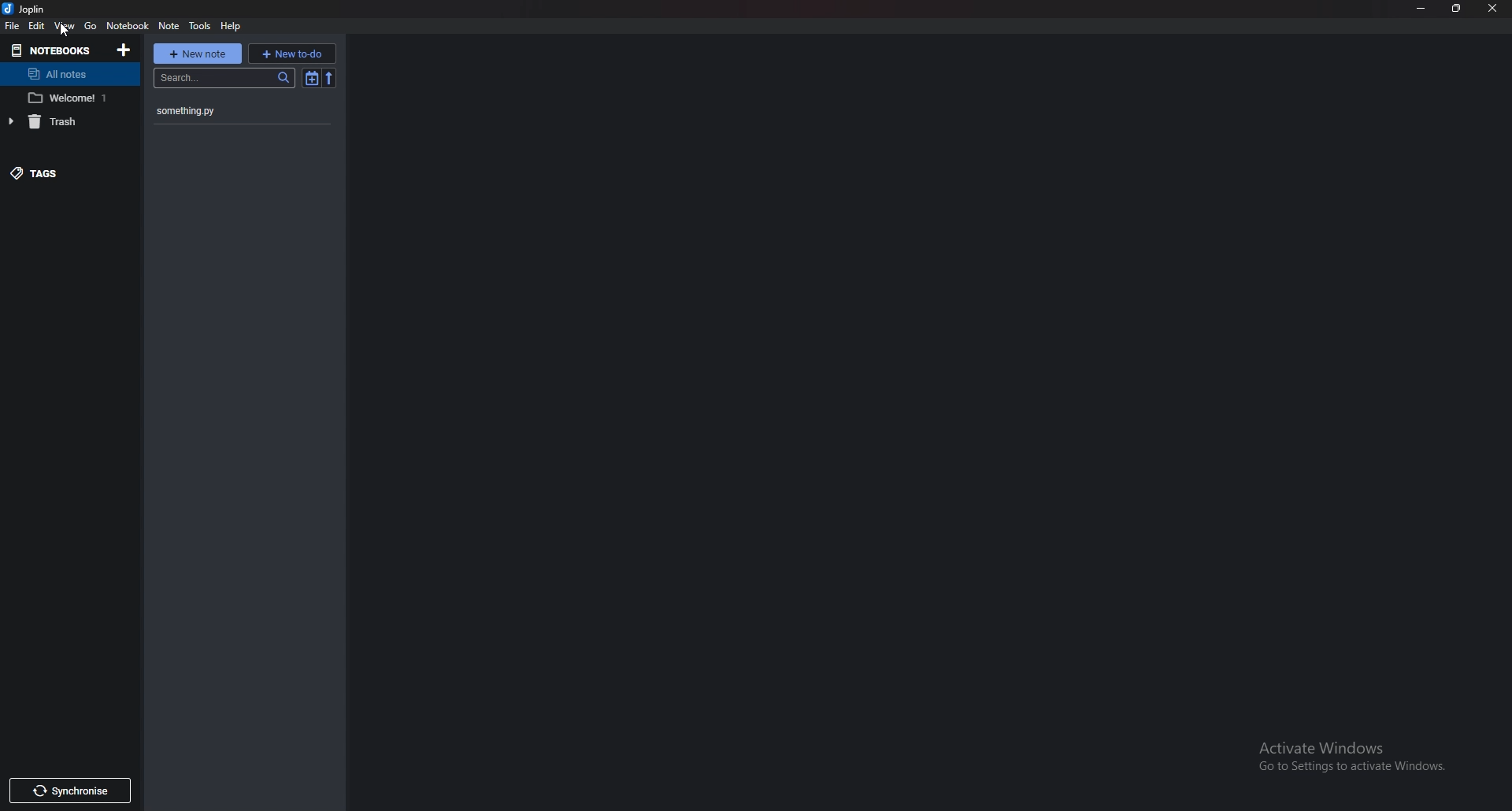 This screenshot has height=811, width=1512. What do you see at coordinates (1455, 9) in the screenshot?
I see `Resize` at bounding box center [1455, 9].